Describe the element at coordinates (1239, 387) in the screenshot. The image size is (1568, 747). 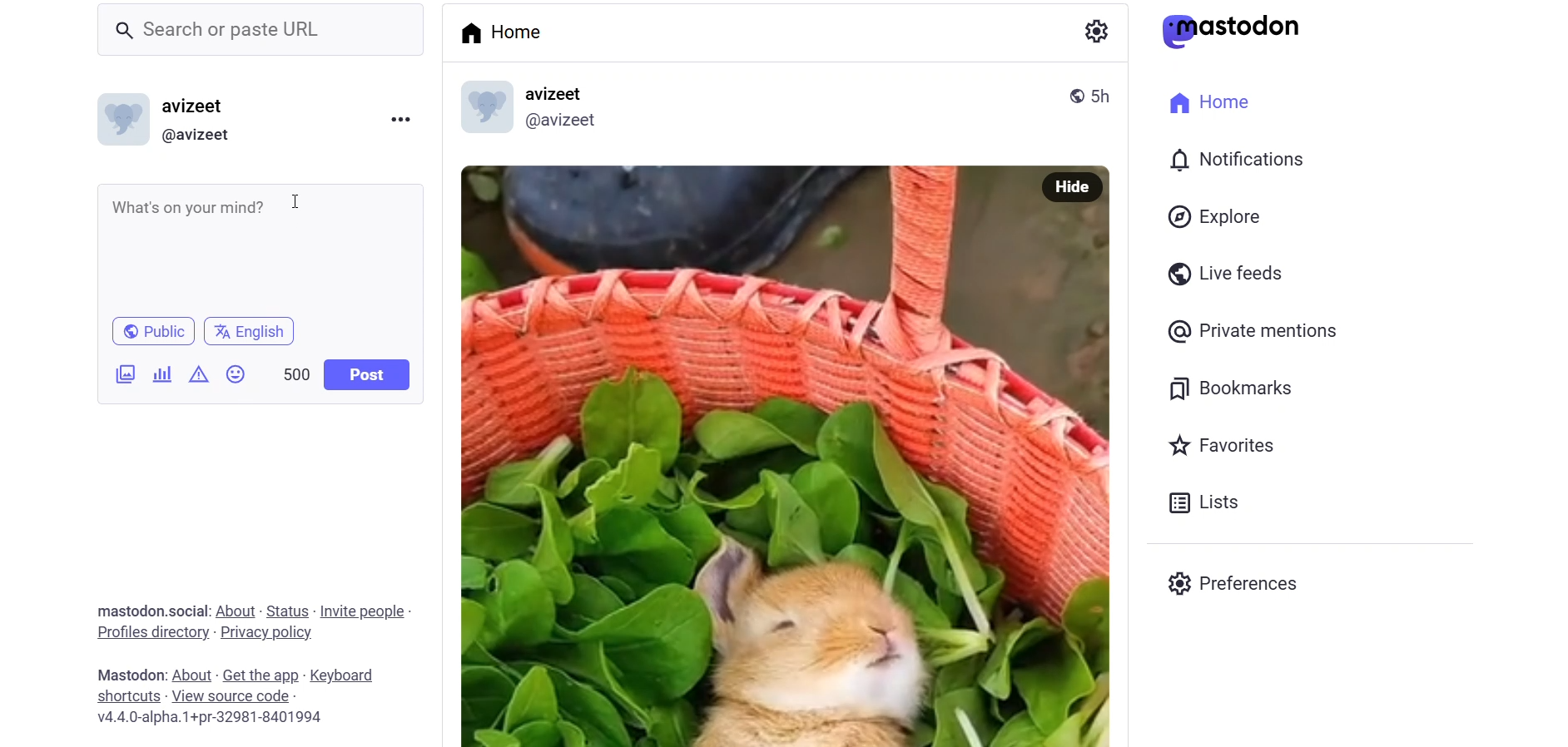
I see `bookmark` at that location.